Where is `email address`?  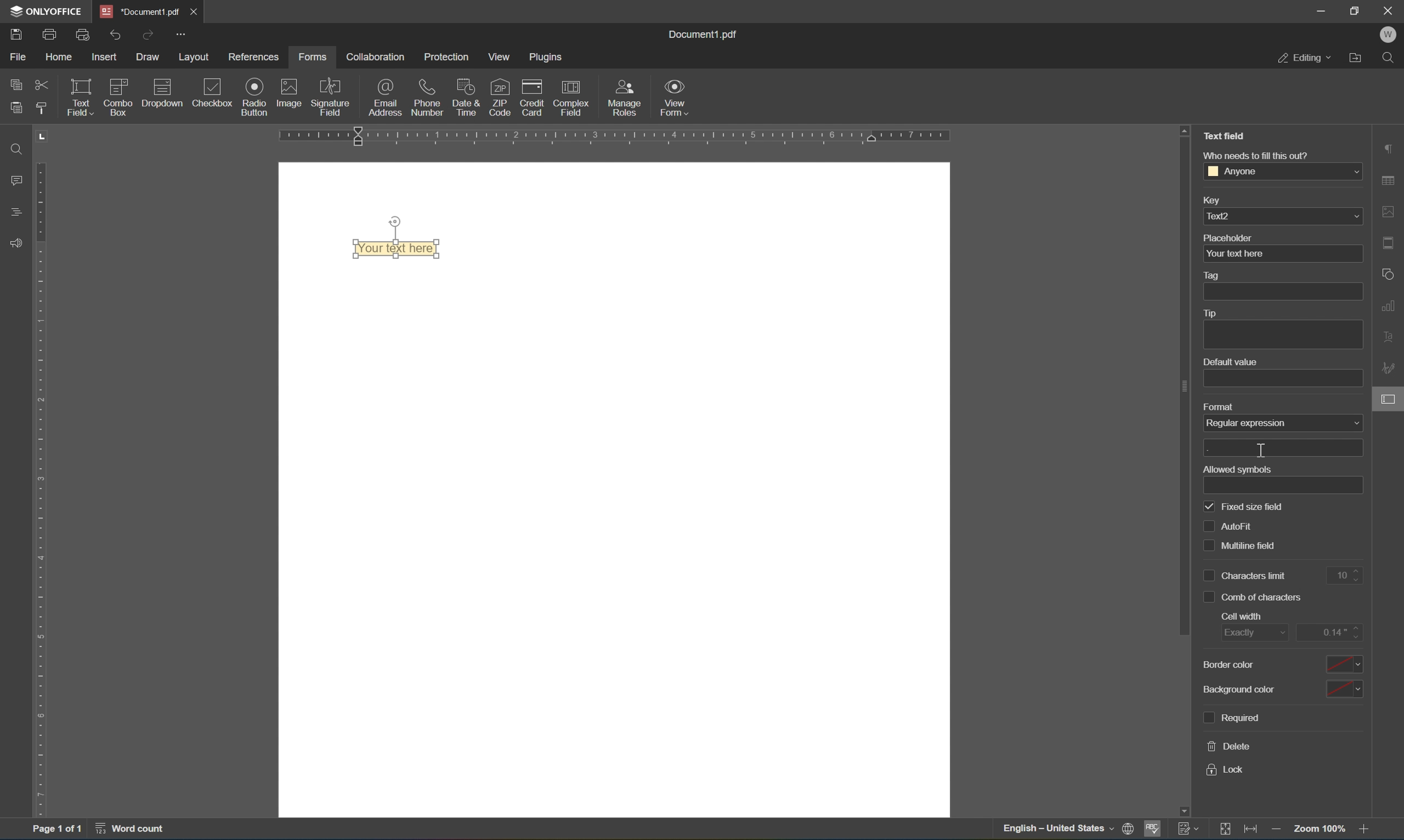 email address is located at coordinates (384, 98).